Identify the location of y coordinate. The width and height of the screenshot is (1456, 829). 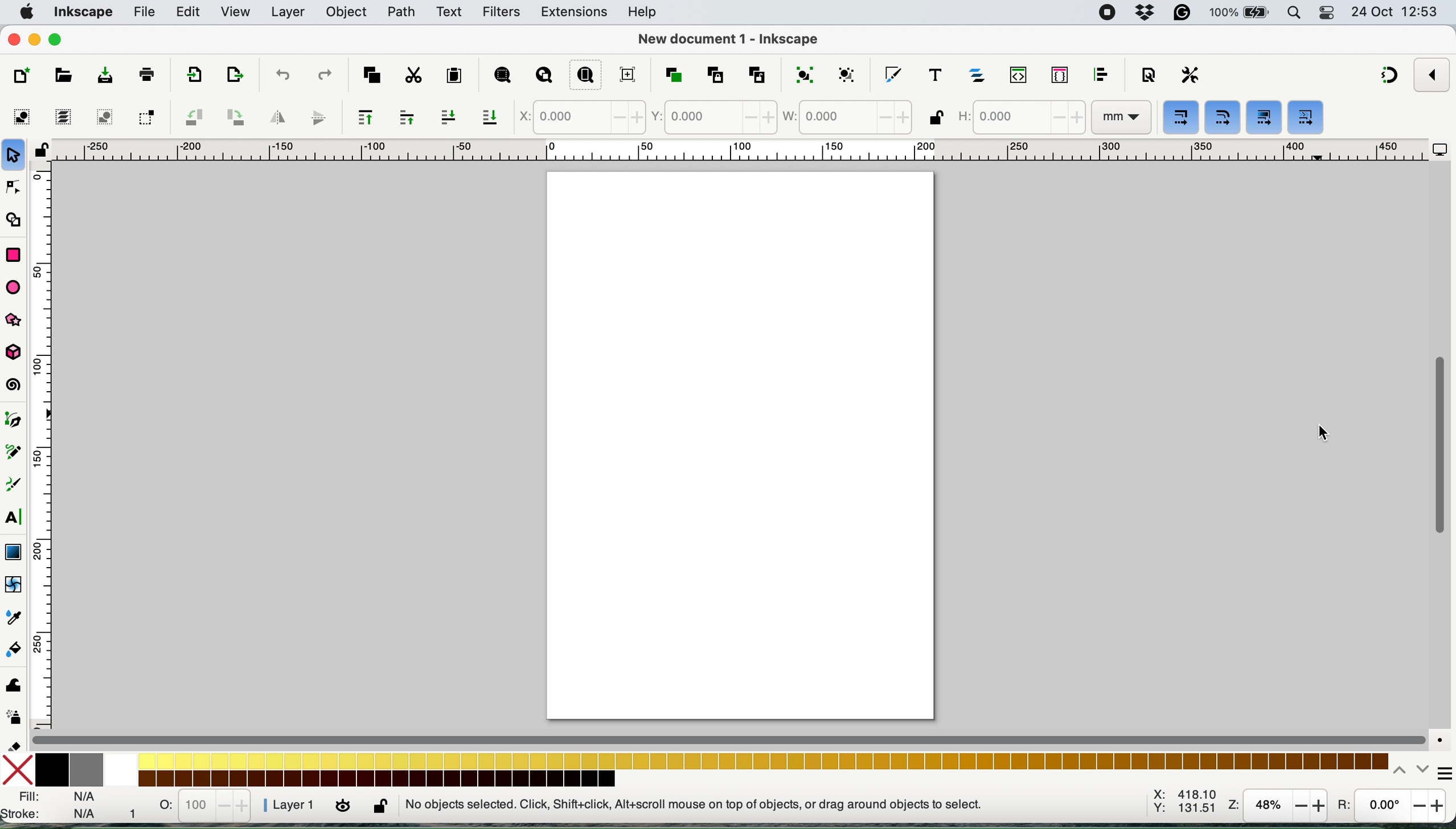
(715, 117).